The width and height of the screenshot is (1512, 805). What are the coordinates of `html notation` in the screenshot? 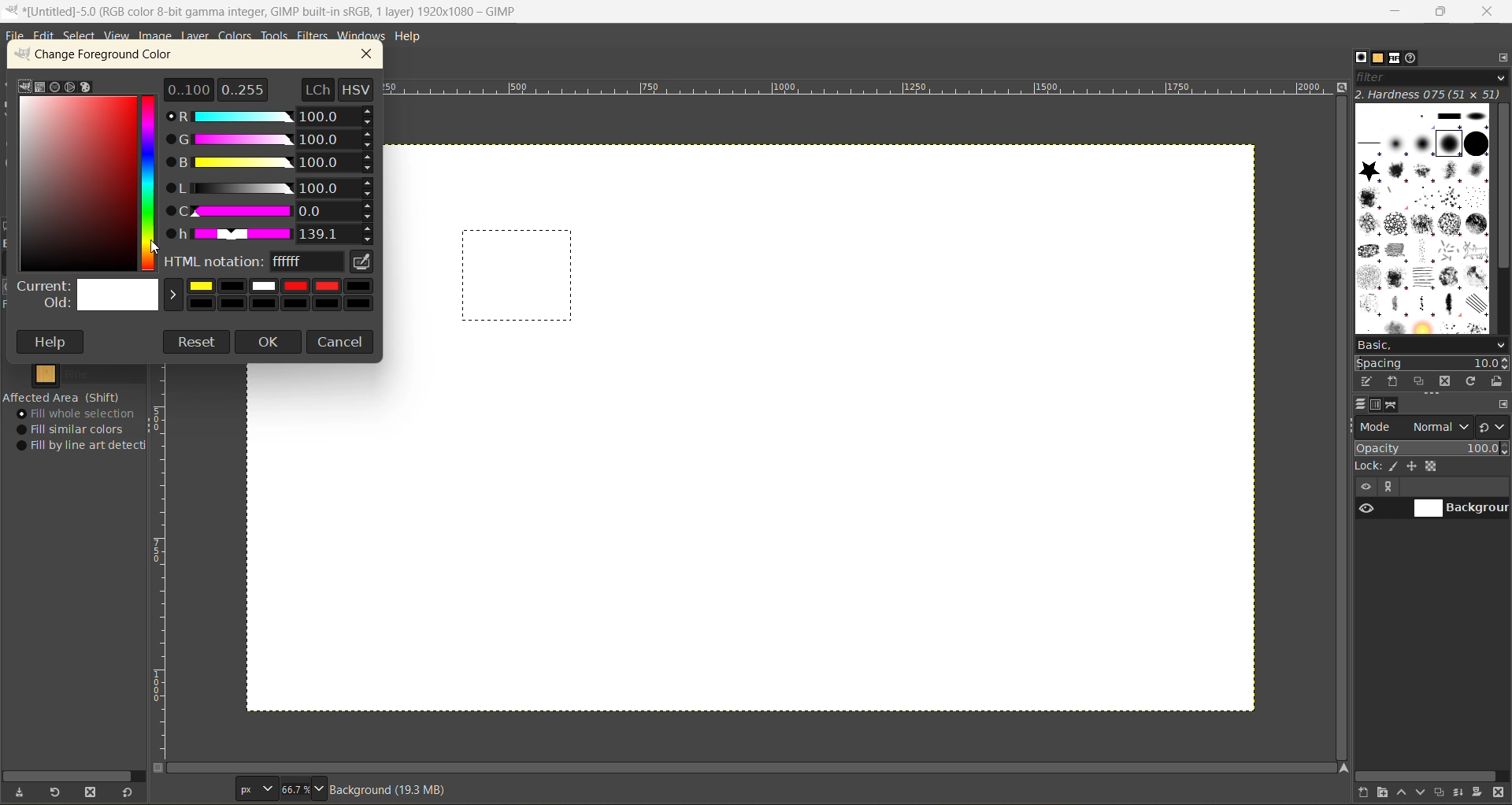 It's located at (255, 264).